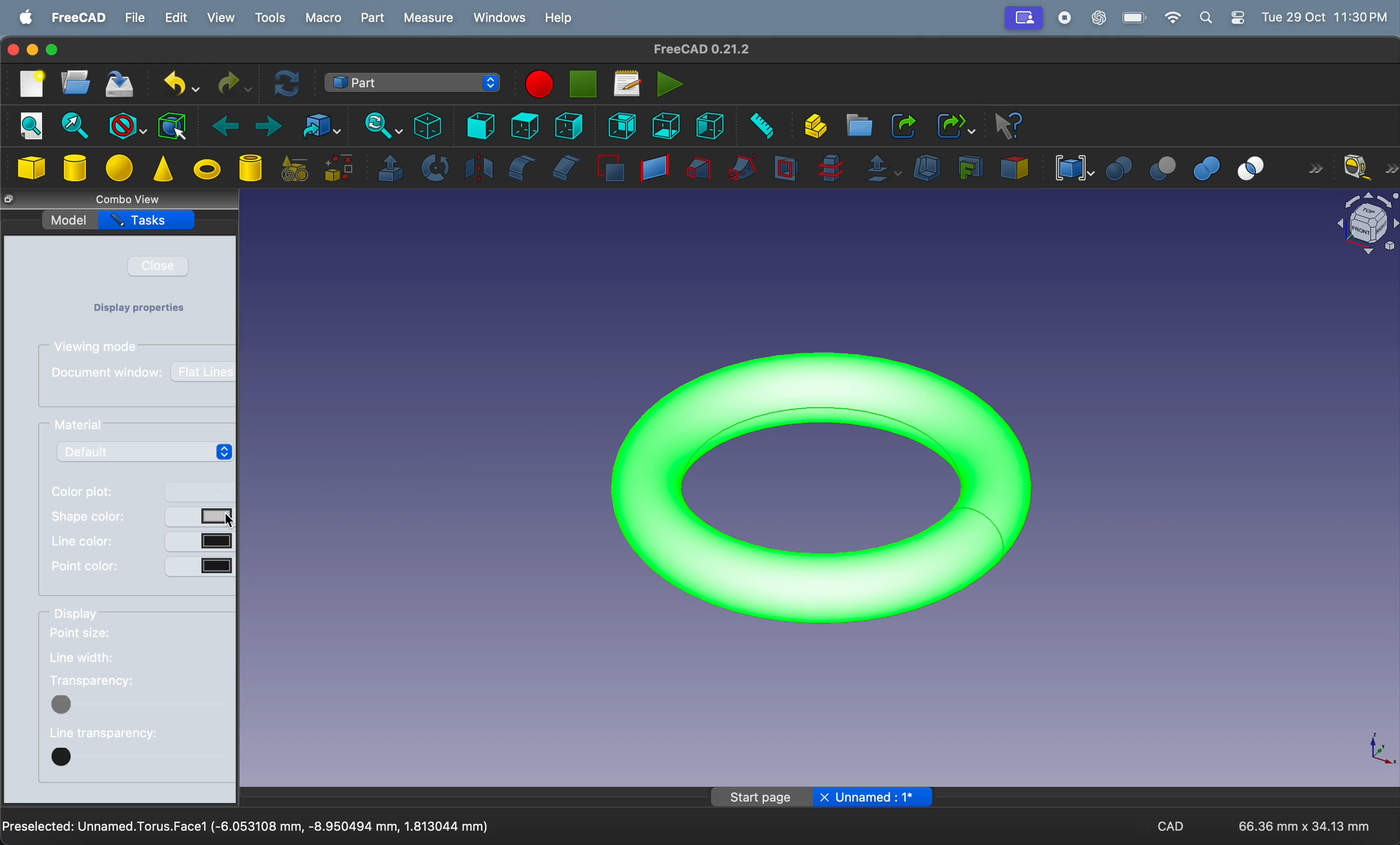 The image size is (1400, 845). Describe the element at coordinates (610, 170) in the screenshot. I see `make face from wires` at that location.